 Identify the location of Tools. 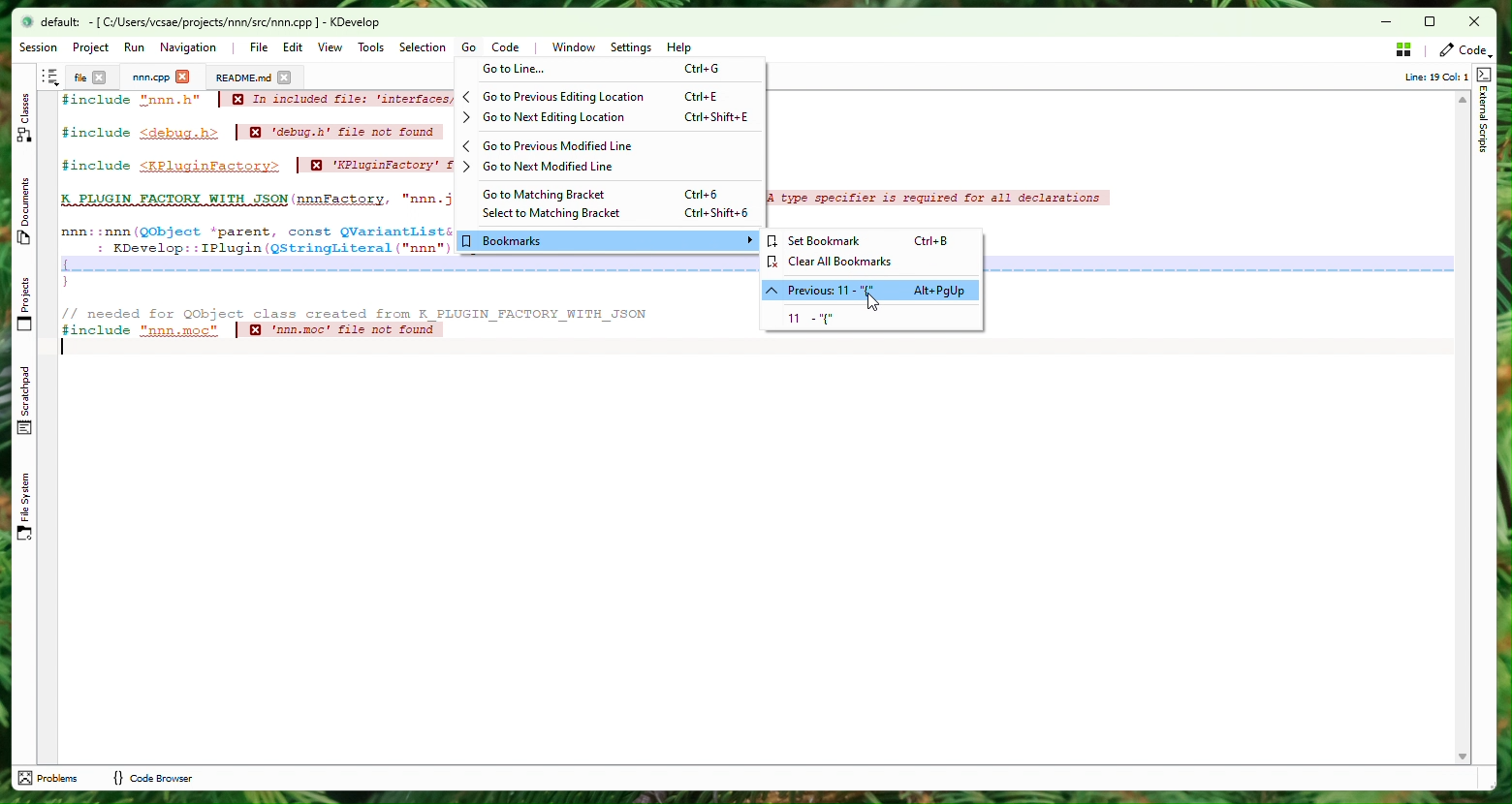
(374, 48).